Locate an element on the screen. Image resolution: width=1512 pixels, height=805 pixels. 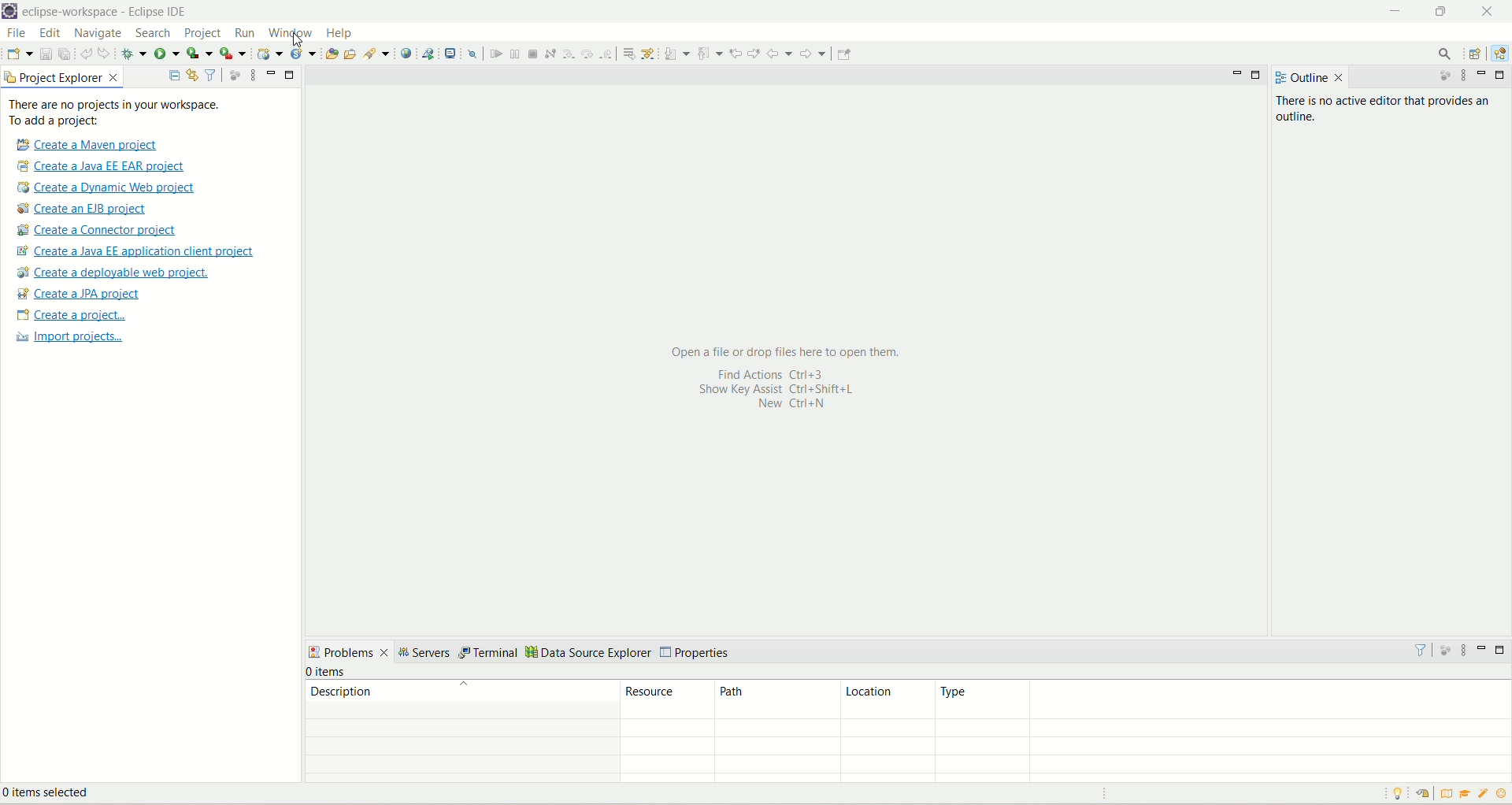
run is located at coordinates (166, 52).